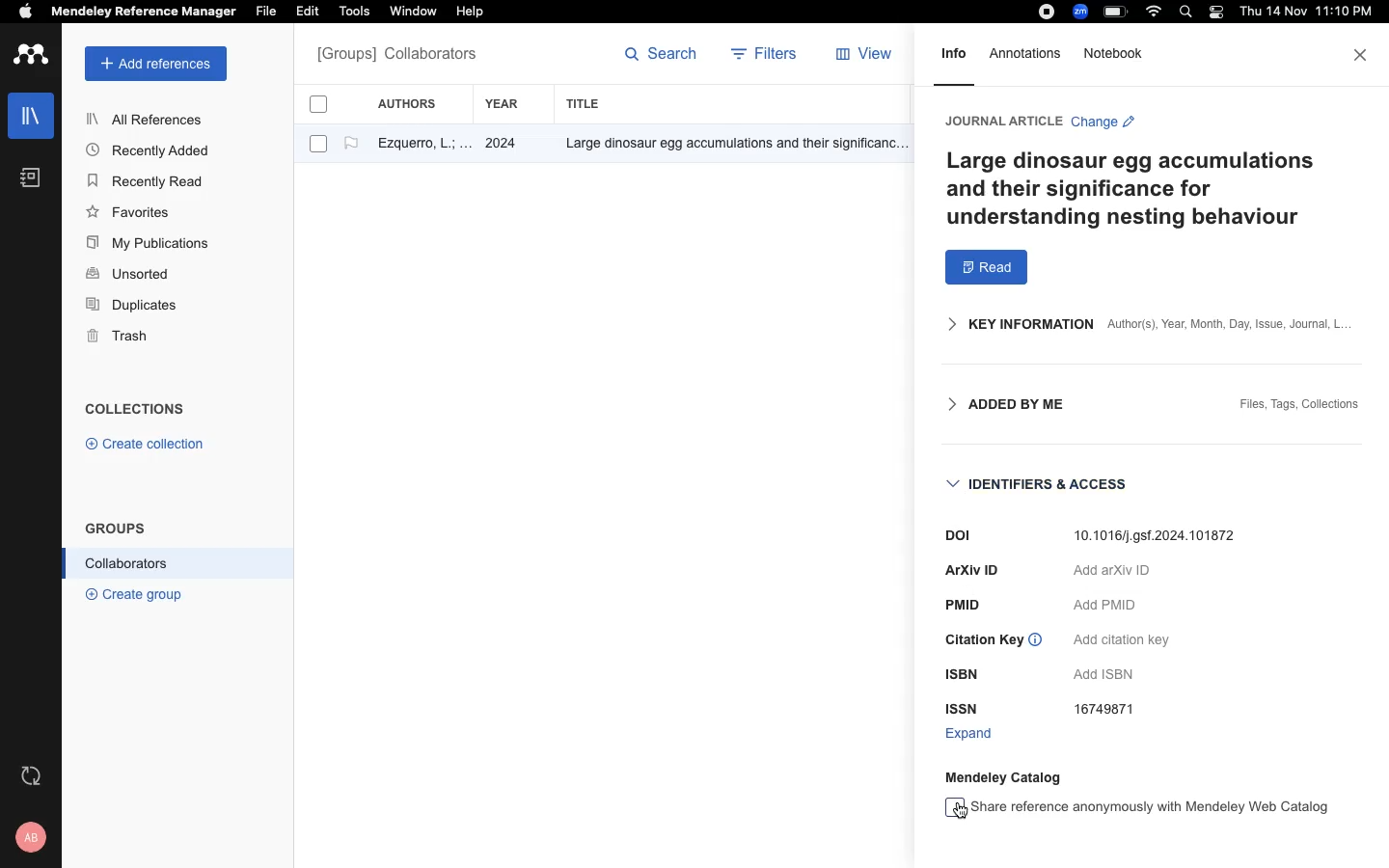 Image resolution: width=1389 pixels, height=868 pixels. What do you see at coordinates (1362, 55) in the screenshot?
I see `close` at bounding box center [1362, 55].